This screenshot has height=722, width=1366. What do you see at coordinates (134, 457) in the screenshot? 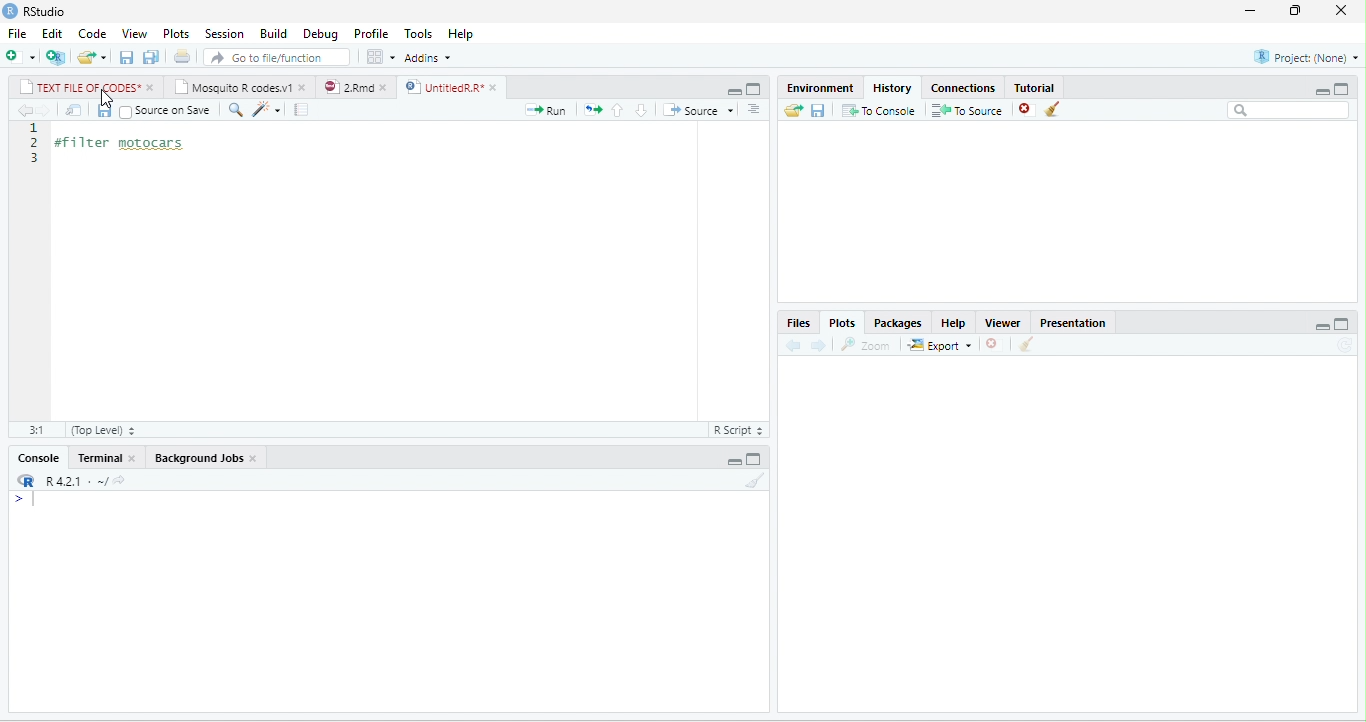
I see `close` at bounding box center [134, 457].